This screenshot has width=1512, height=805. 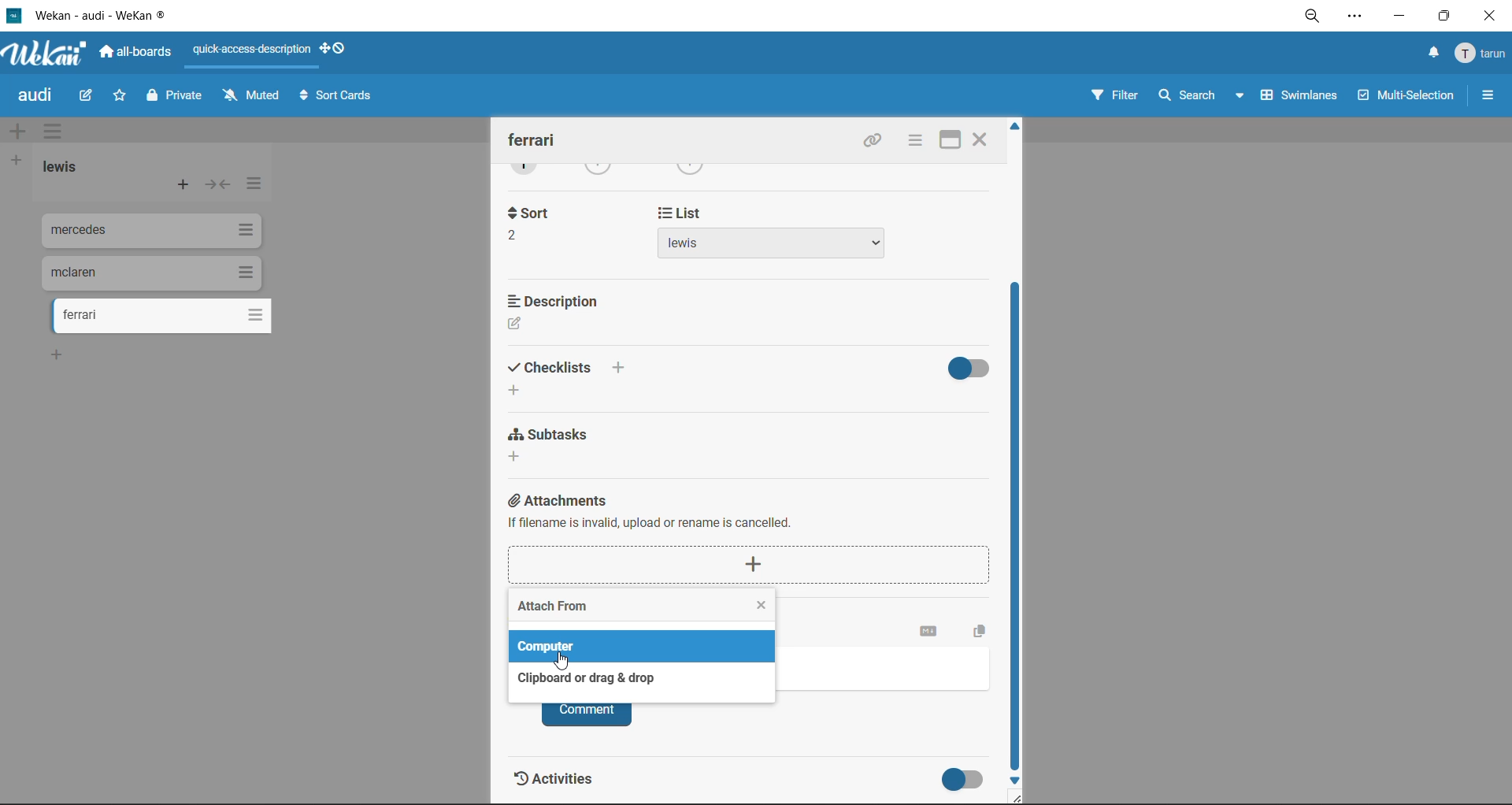 I want to click on subtasks, so click(x=557, y=446).